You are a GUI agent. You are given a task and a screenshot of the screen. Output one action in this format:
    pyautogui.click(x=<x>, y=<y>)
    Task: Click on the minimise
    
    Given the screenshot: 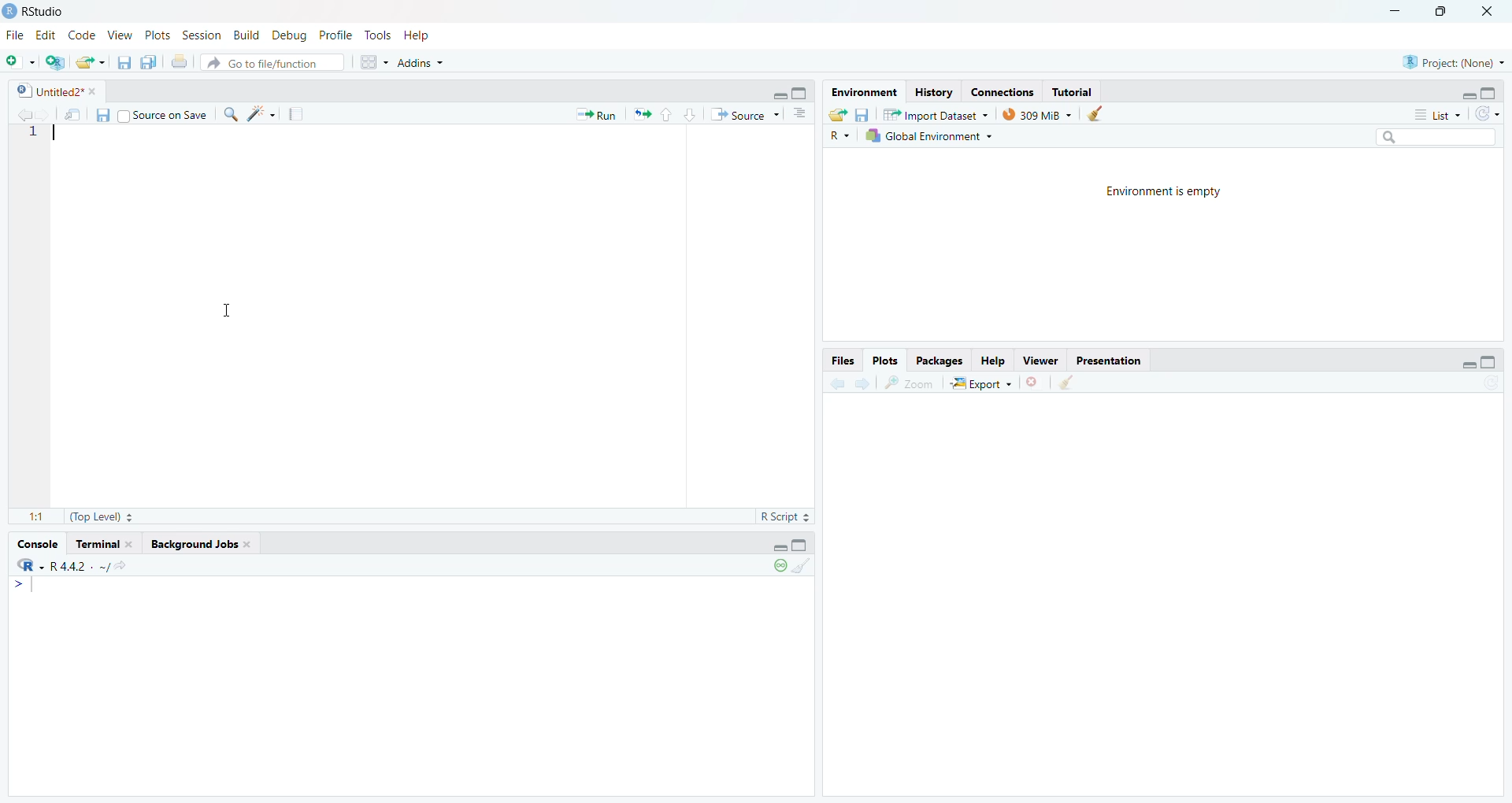 What is the action you would take?
    pyautogui.click(x=1395, y=11)
    